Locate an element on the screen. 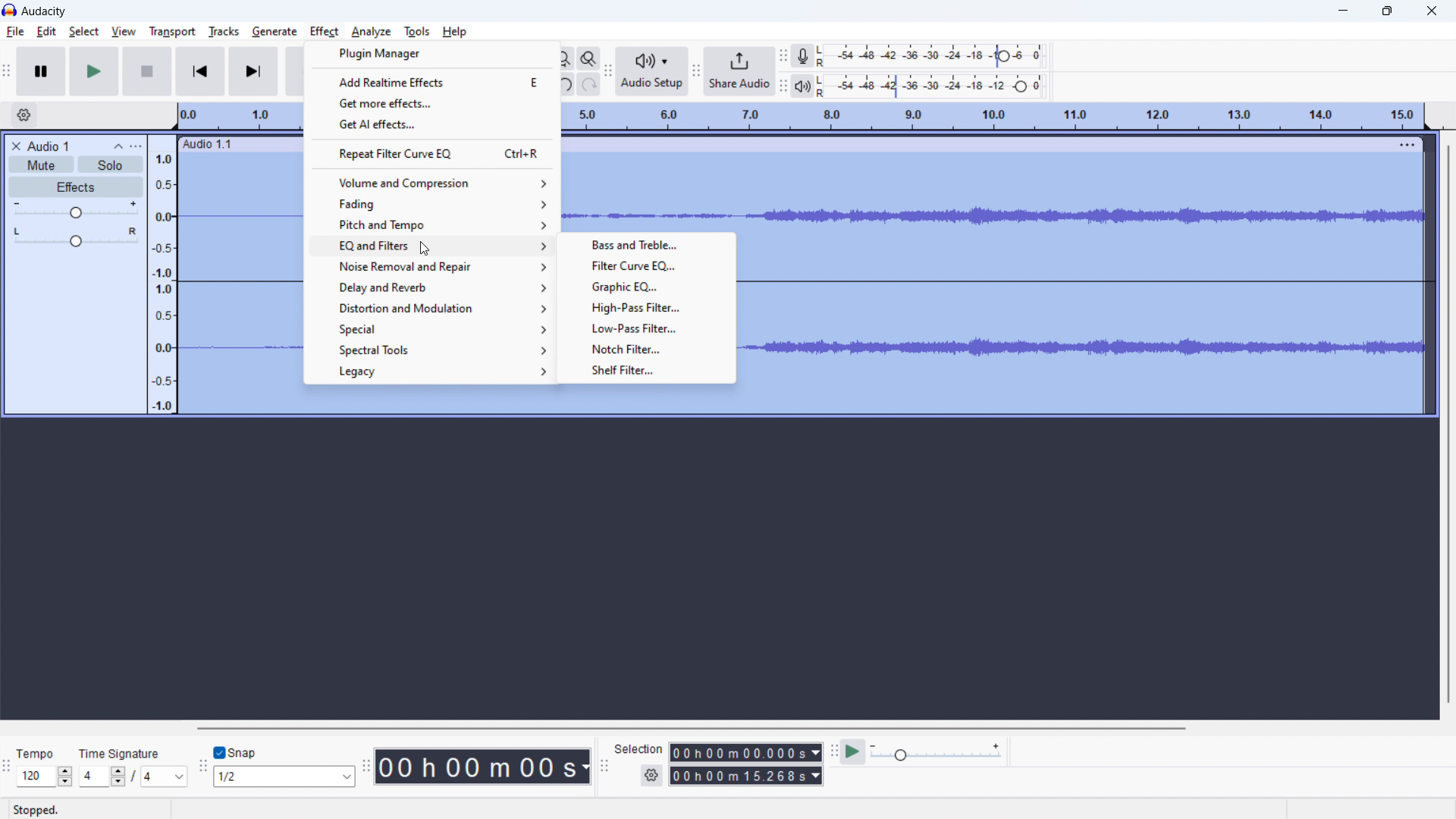 The height and width of the screenshot is (819, 1456). view is located at coordinates (124, 31).